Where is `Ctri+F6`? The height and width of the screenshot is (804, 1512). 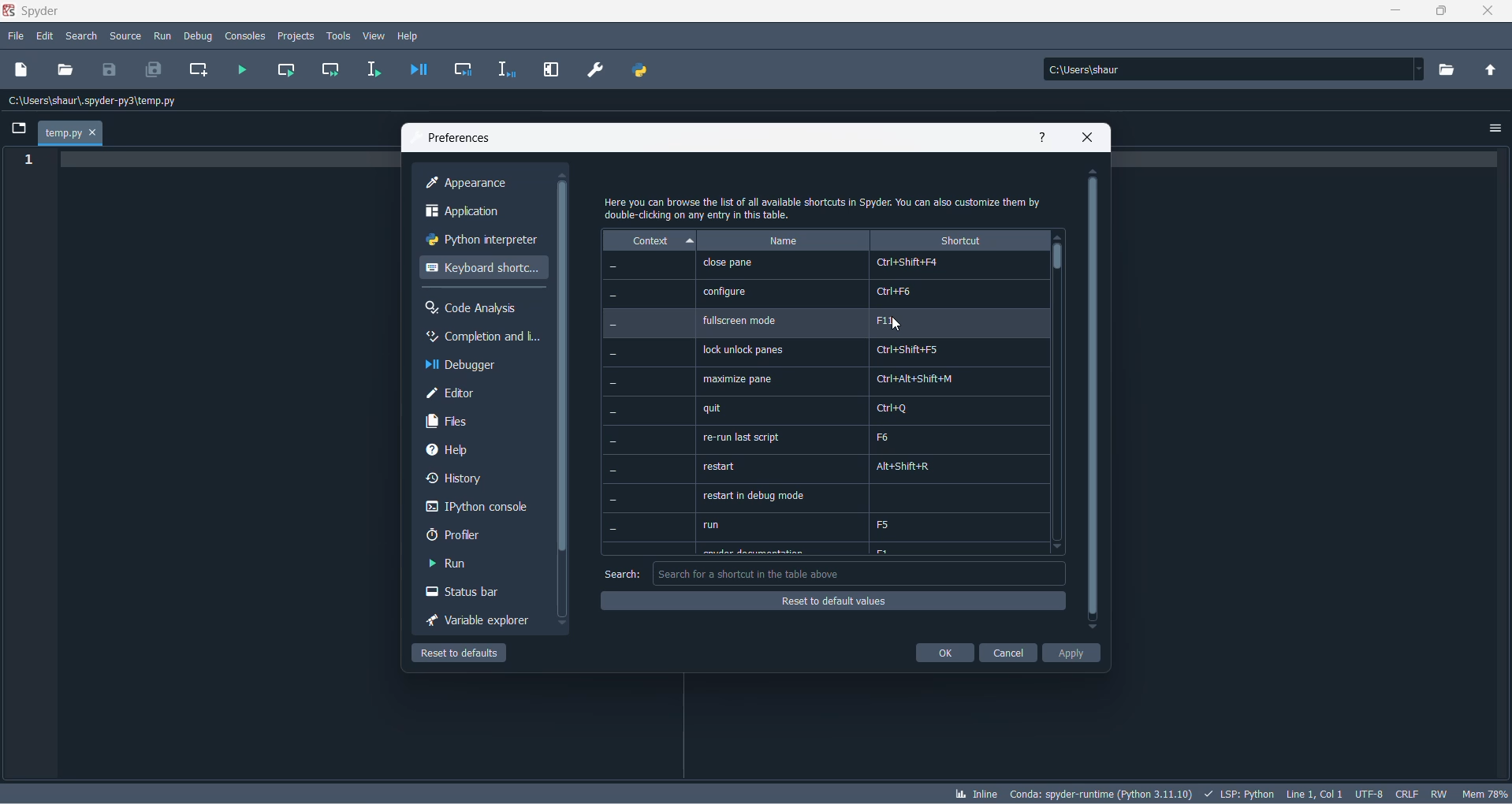 Ctri+F6 is located at coordinates (896, 290).